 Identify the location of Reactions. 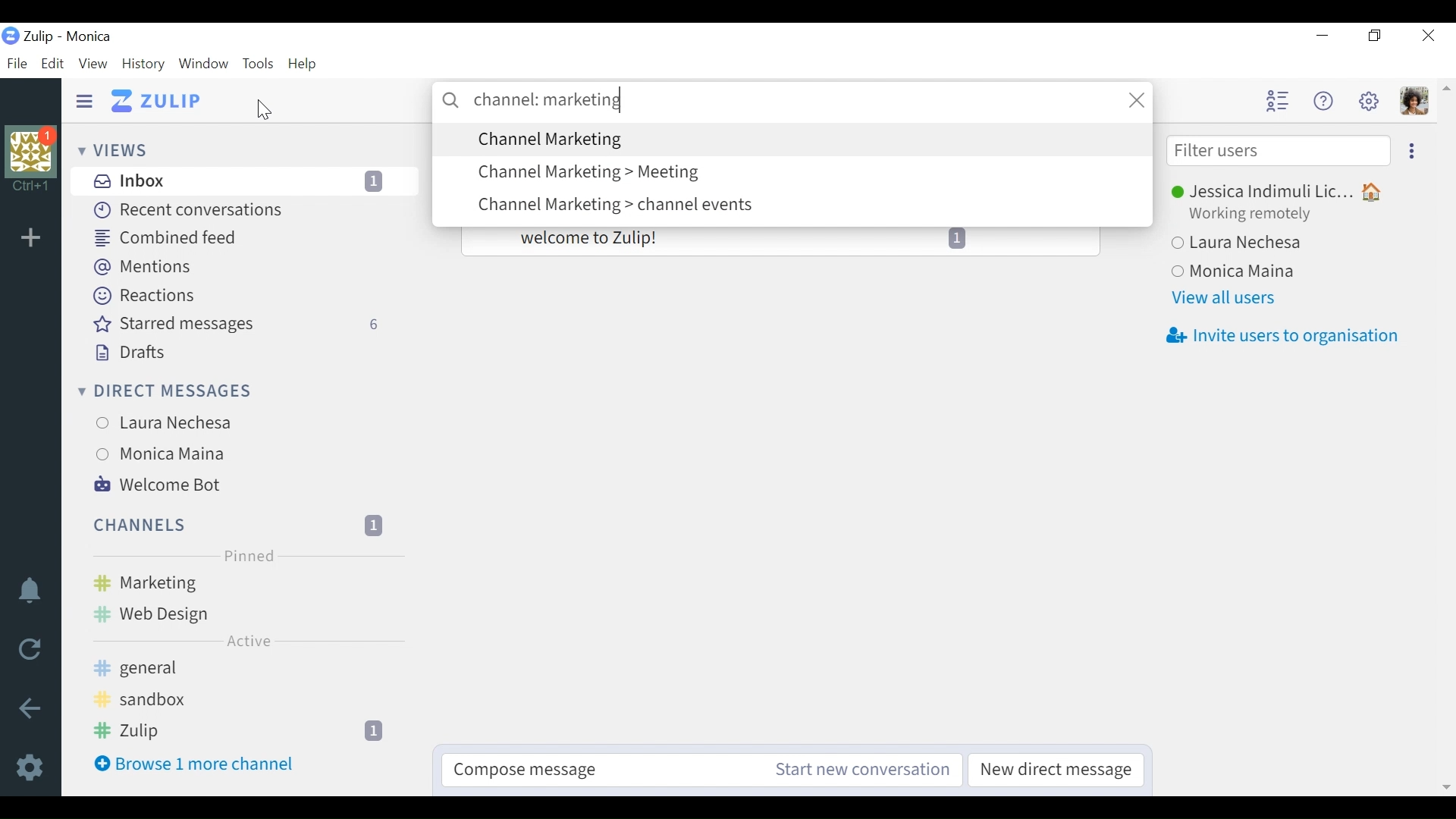
(142, 296).